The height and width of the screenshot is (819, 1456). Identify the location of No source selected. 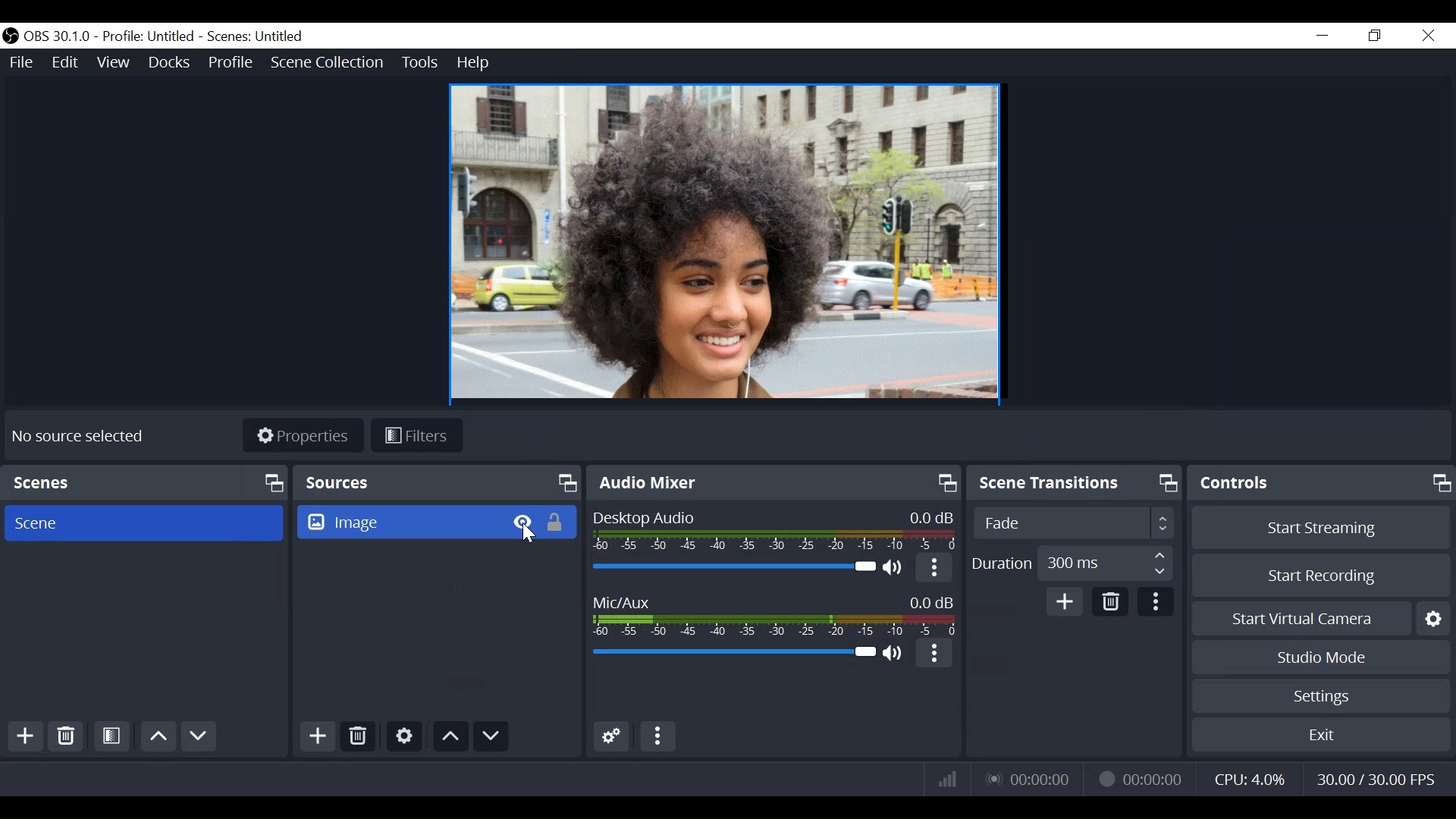
(76, 439).